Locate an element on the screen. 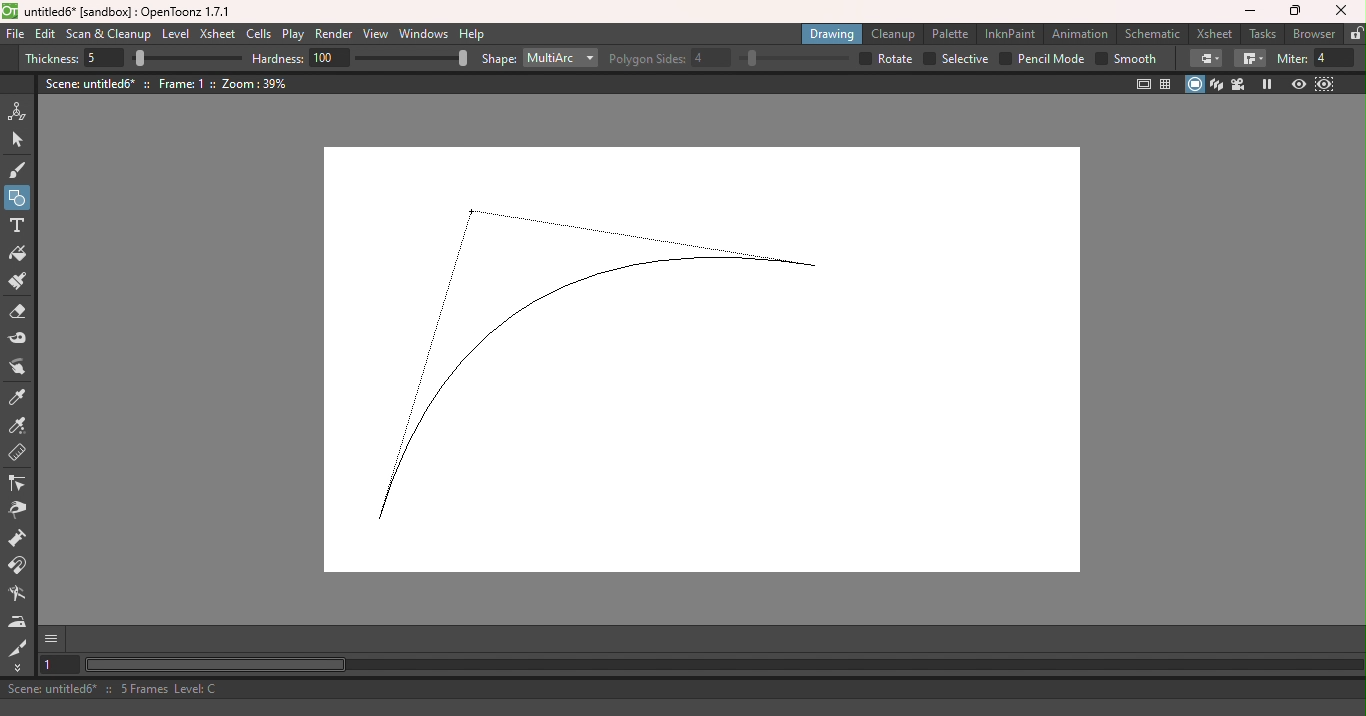 This screenshot has height=716, width=1366. Render is located at coordinates (335, 35).